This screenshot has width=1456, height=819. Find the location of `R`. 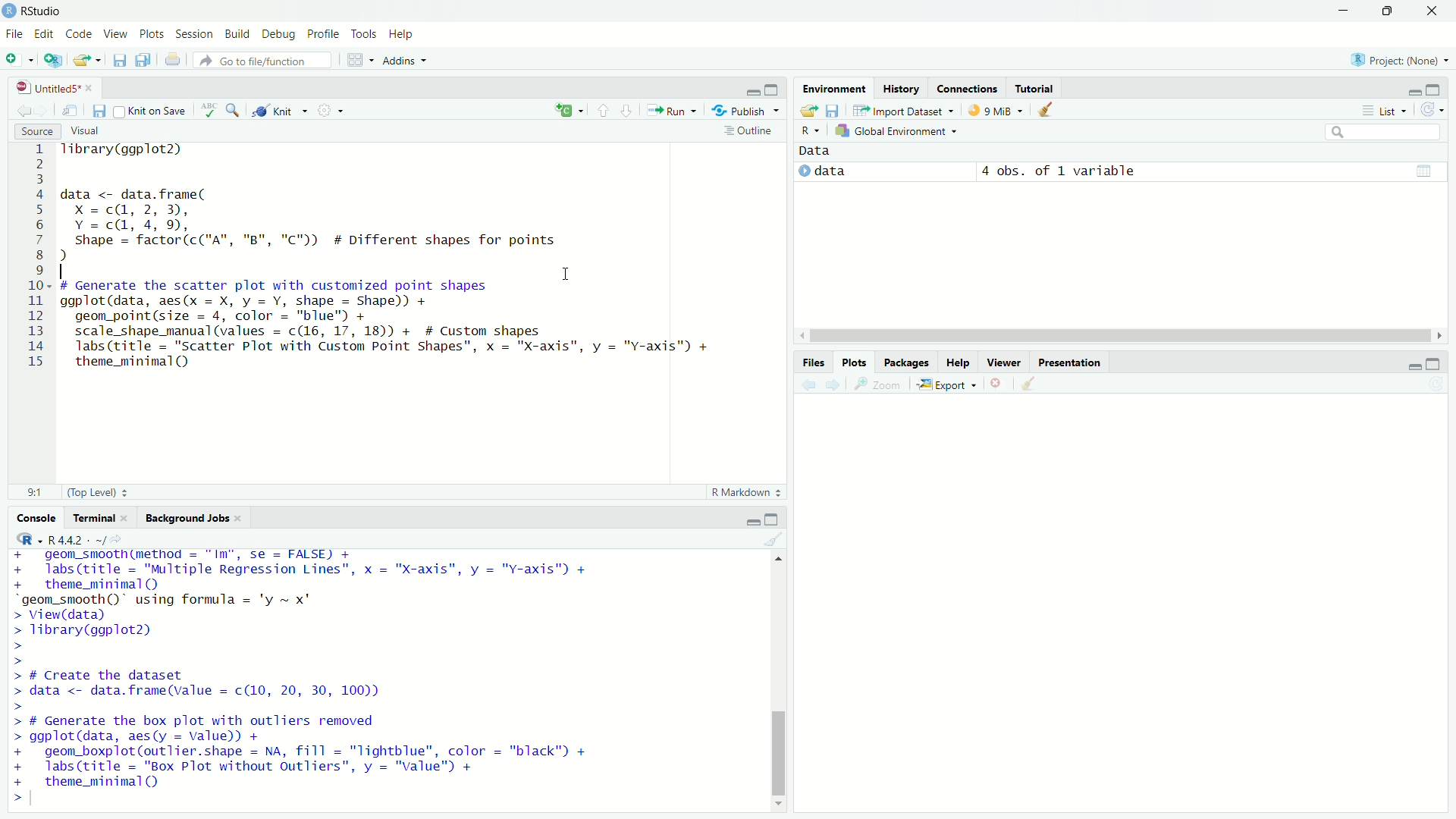

R is located at coordinates (28, 539).